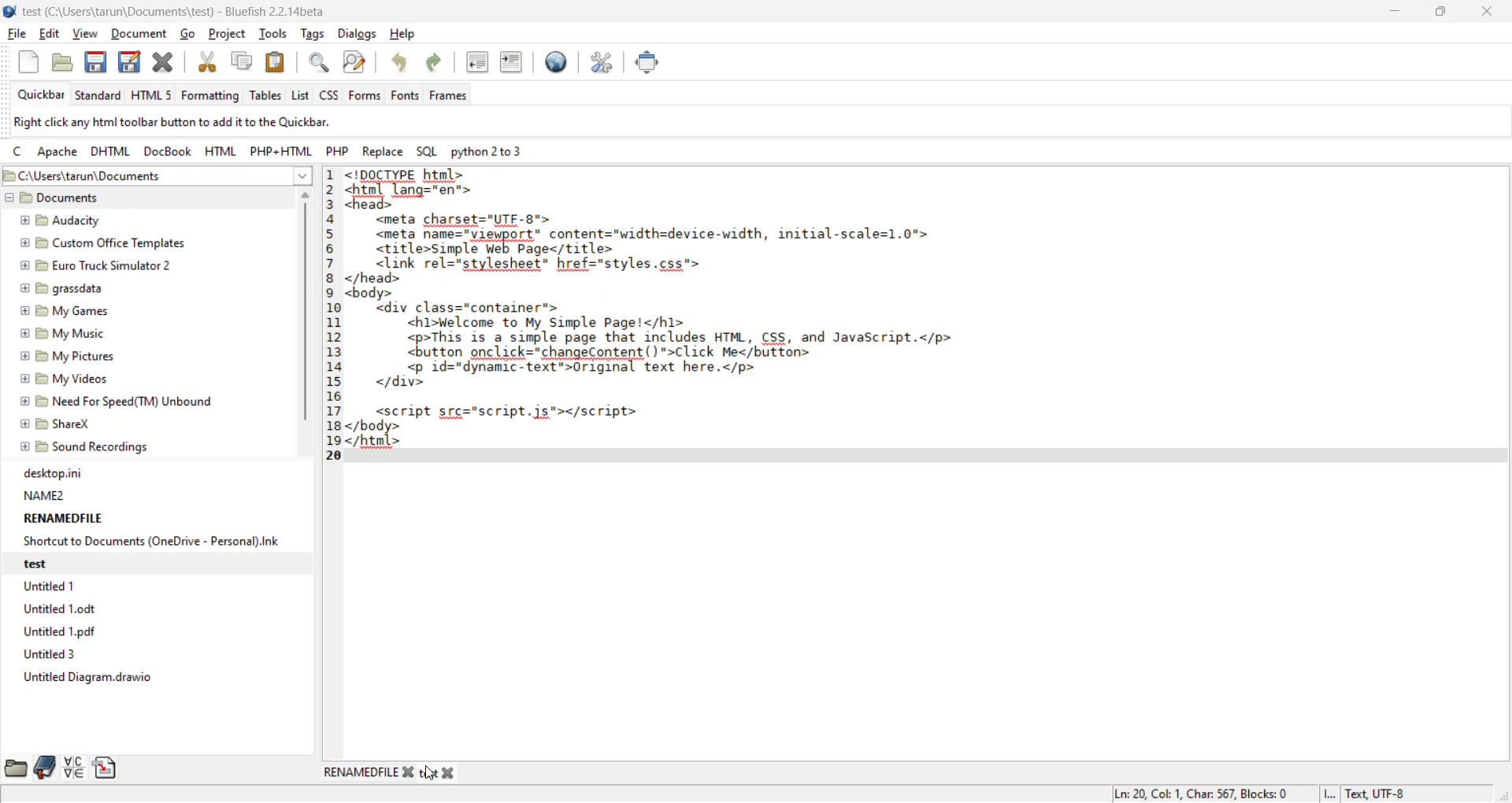  What do you see at coordinates (35, 565) in the screenshot?
I see `test` at bounding box center [35, 565].